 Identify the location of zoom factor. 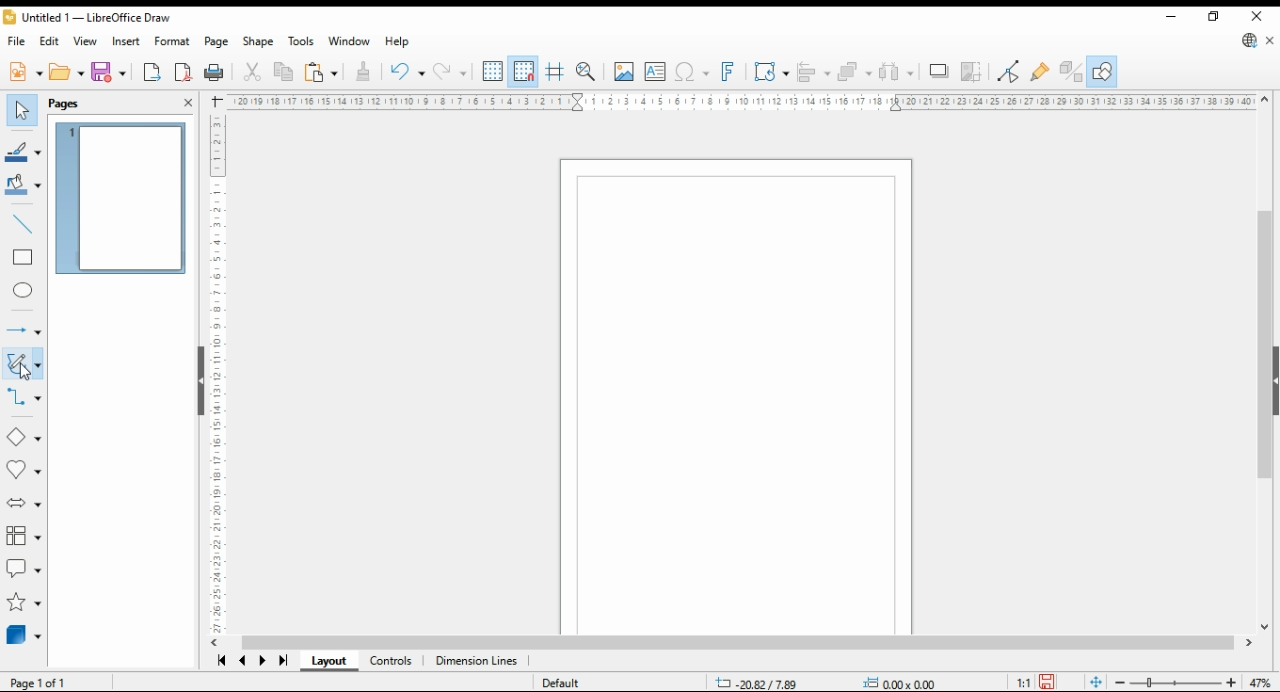
(1260, 683).